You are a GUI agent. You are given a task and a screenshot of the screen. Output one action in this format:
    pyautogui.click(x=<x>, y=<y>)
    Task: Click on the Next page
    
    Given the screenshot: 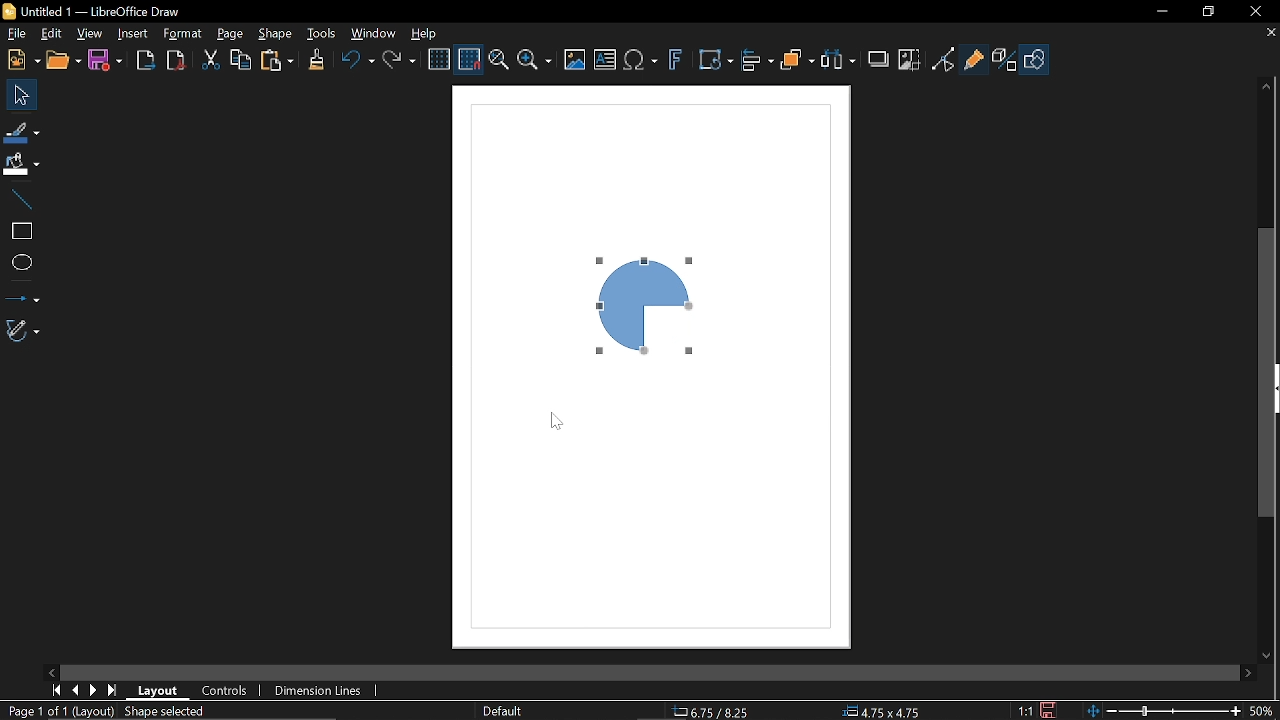 What is the action you would take?
    pyautogui.click(x=94, y=691)
    